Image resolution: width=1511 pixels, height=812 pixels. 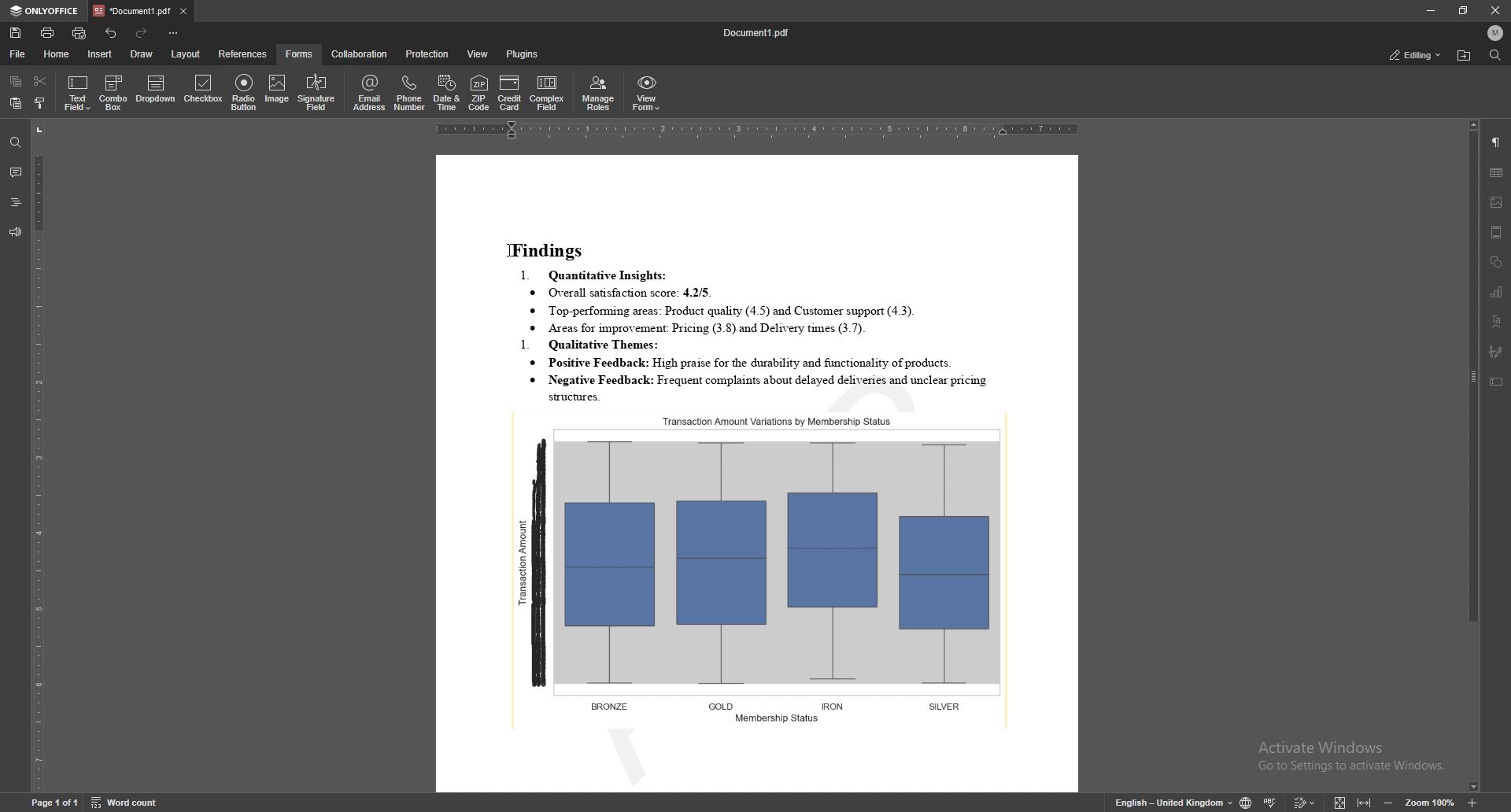 I want to click on protection, so click(x=428, y=54).